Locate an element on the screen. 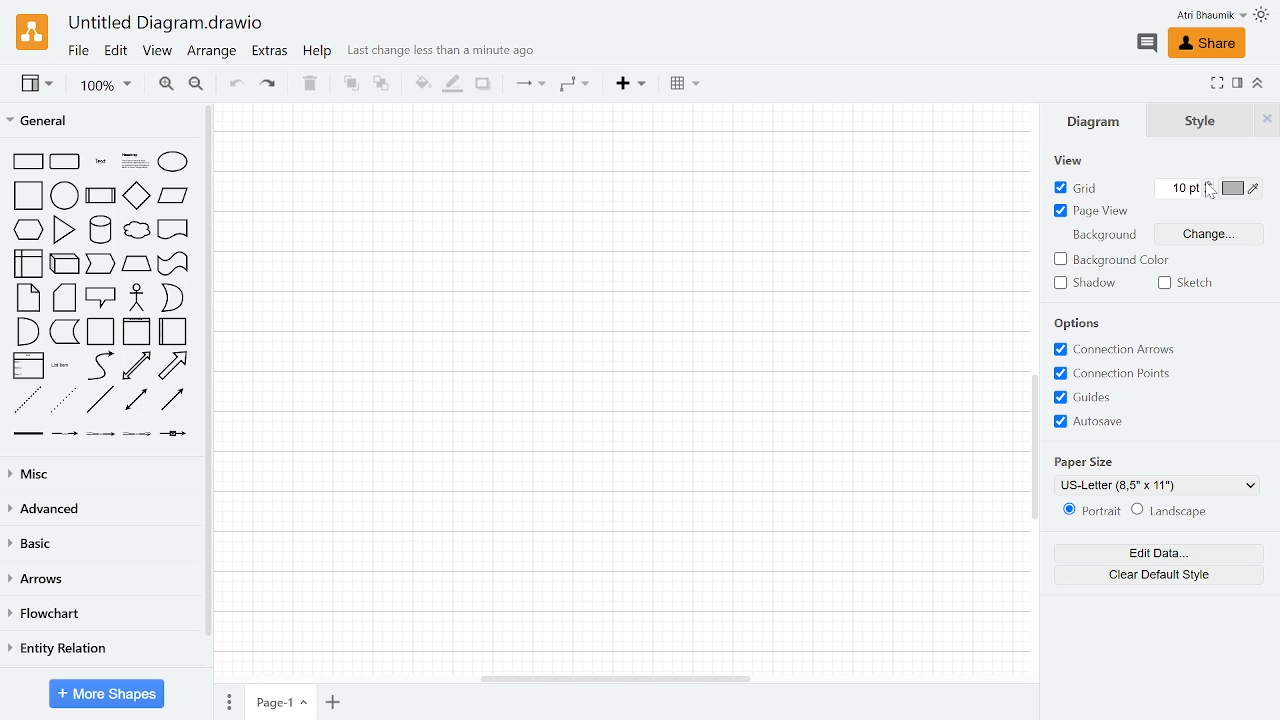  Landscape is located at coordinates (1171, 511).